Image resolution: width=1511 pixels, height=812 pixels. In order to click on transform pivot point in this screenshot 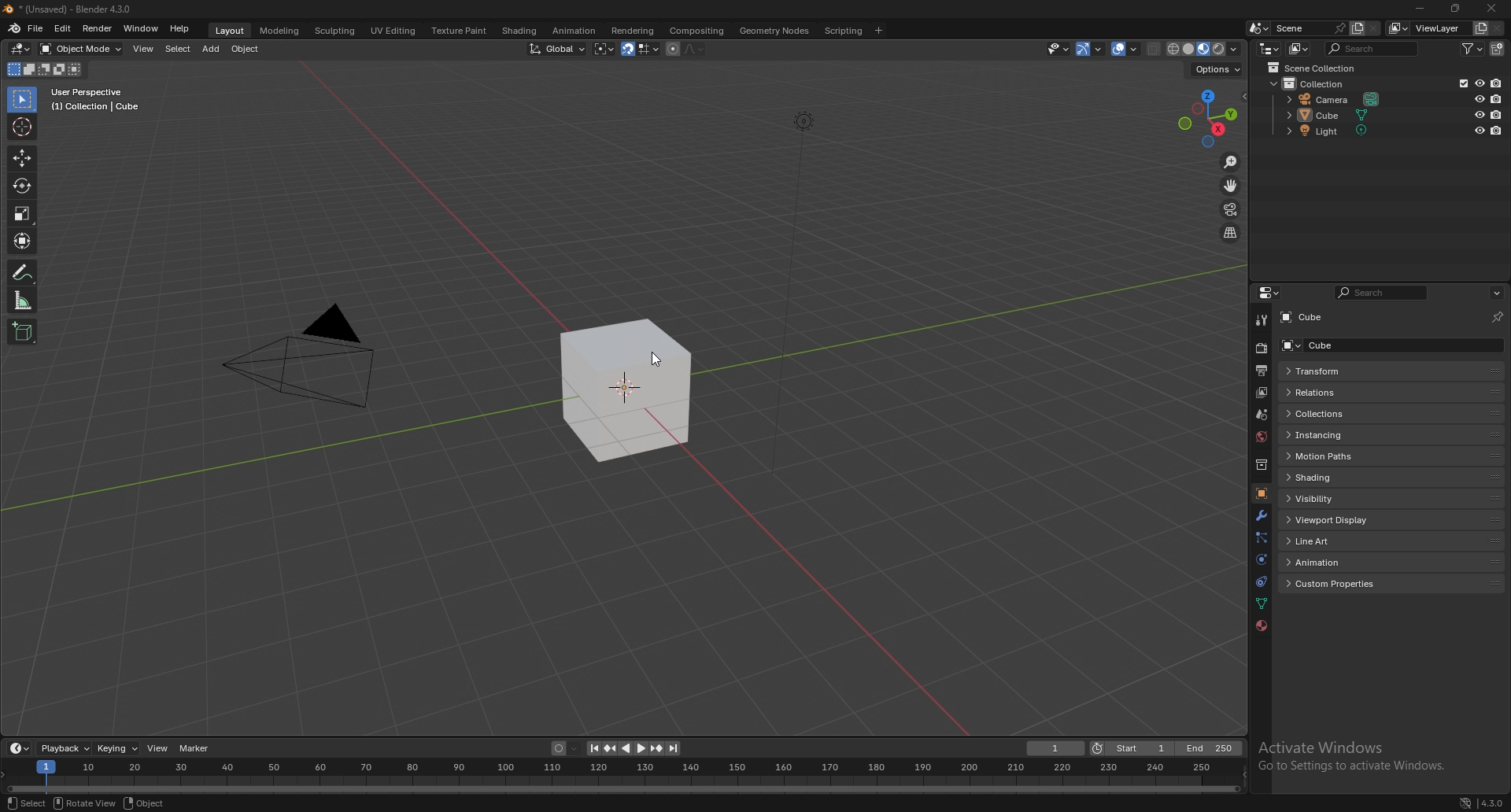, I will do `click(604, 49)`.